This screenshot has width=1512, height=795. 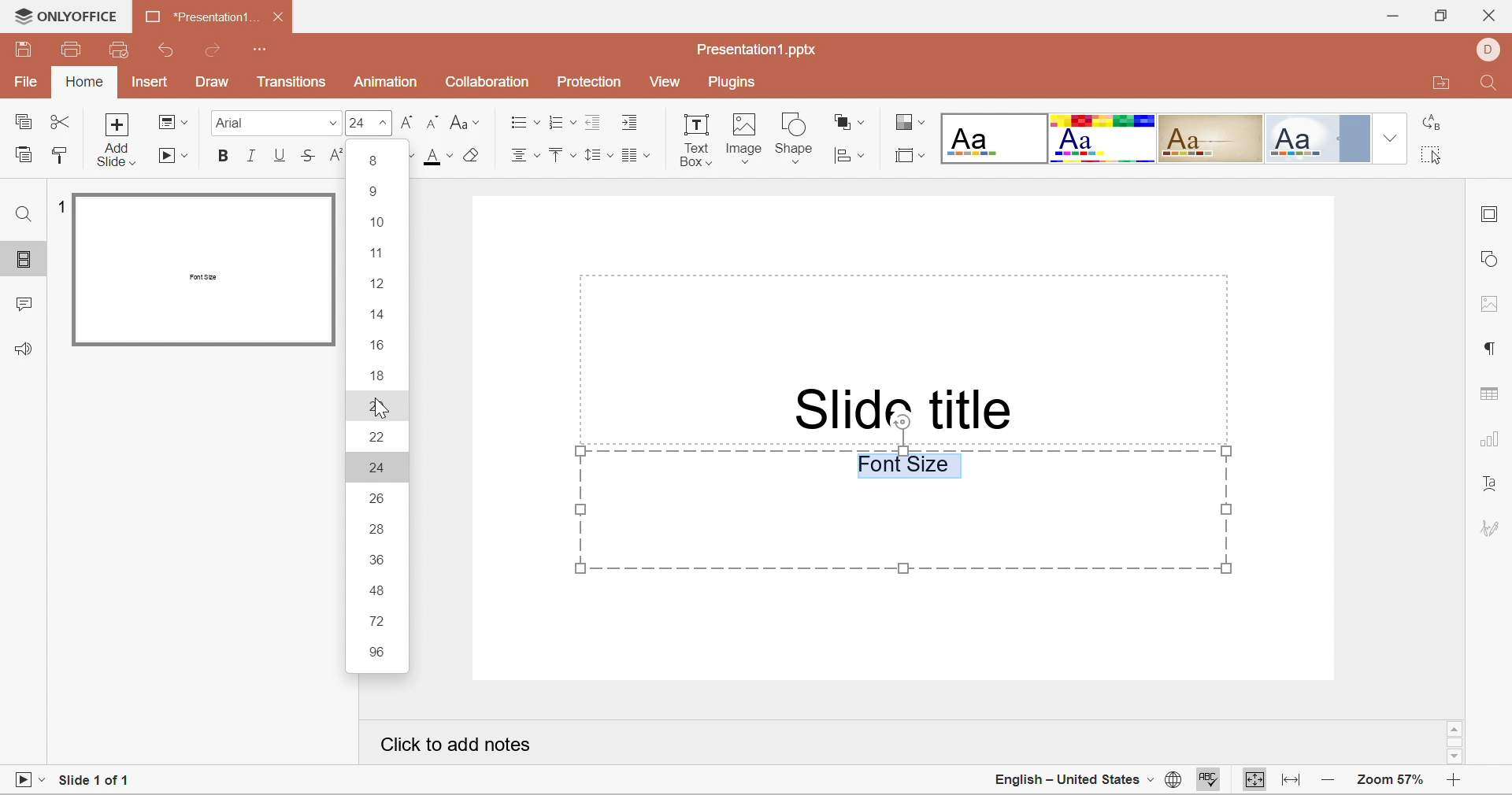 I want to click on Set document language, so click(x=1173, y=780).